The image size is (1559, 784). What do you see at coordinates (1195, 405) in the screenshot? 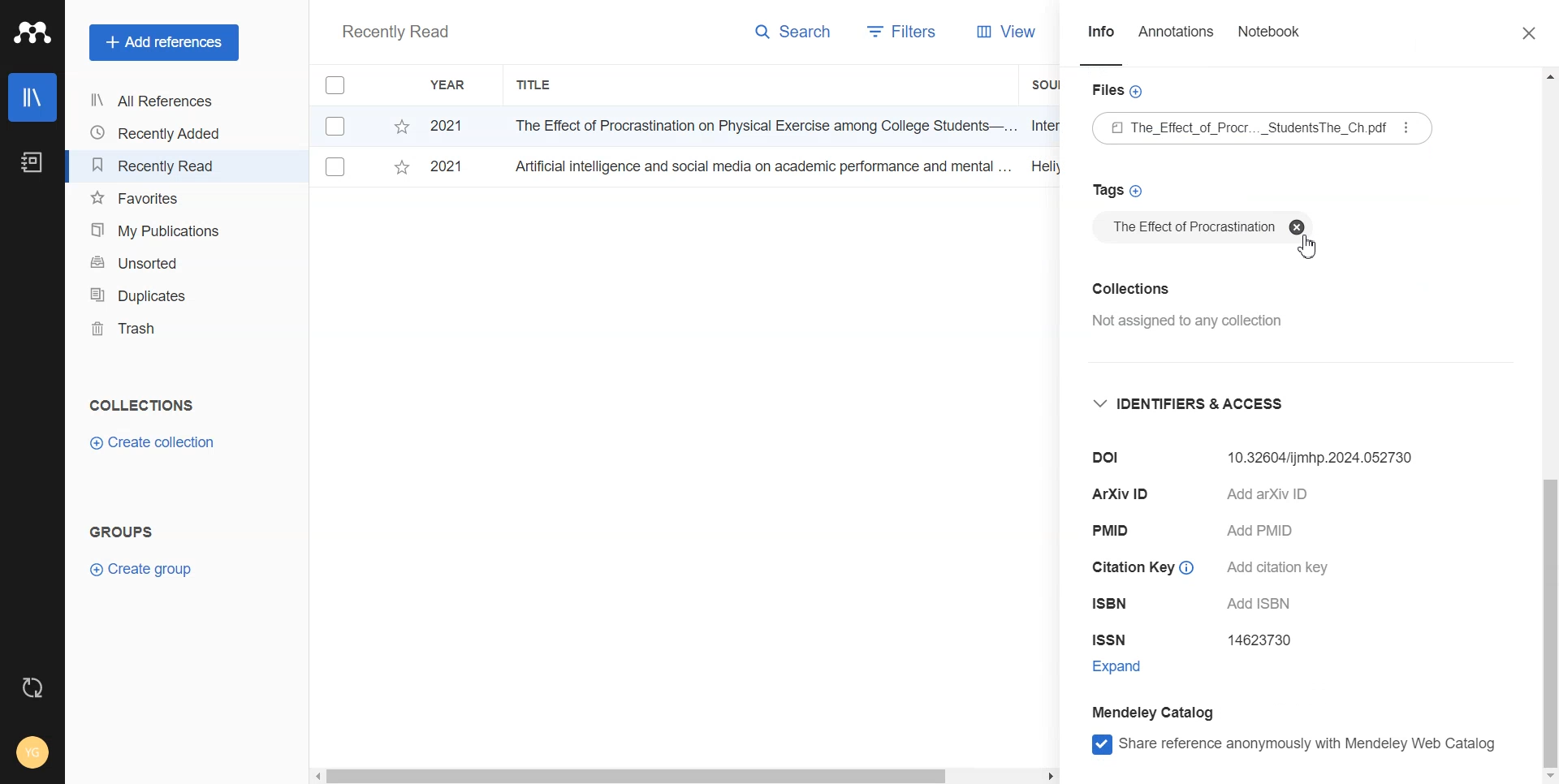
I see `Identifier & Acess` at bounding box center [1195, 405].